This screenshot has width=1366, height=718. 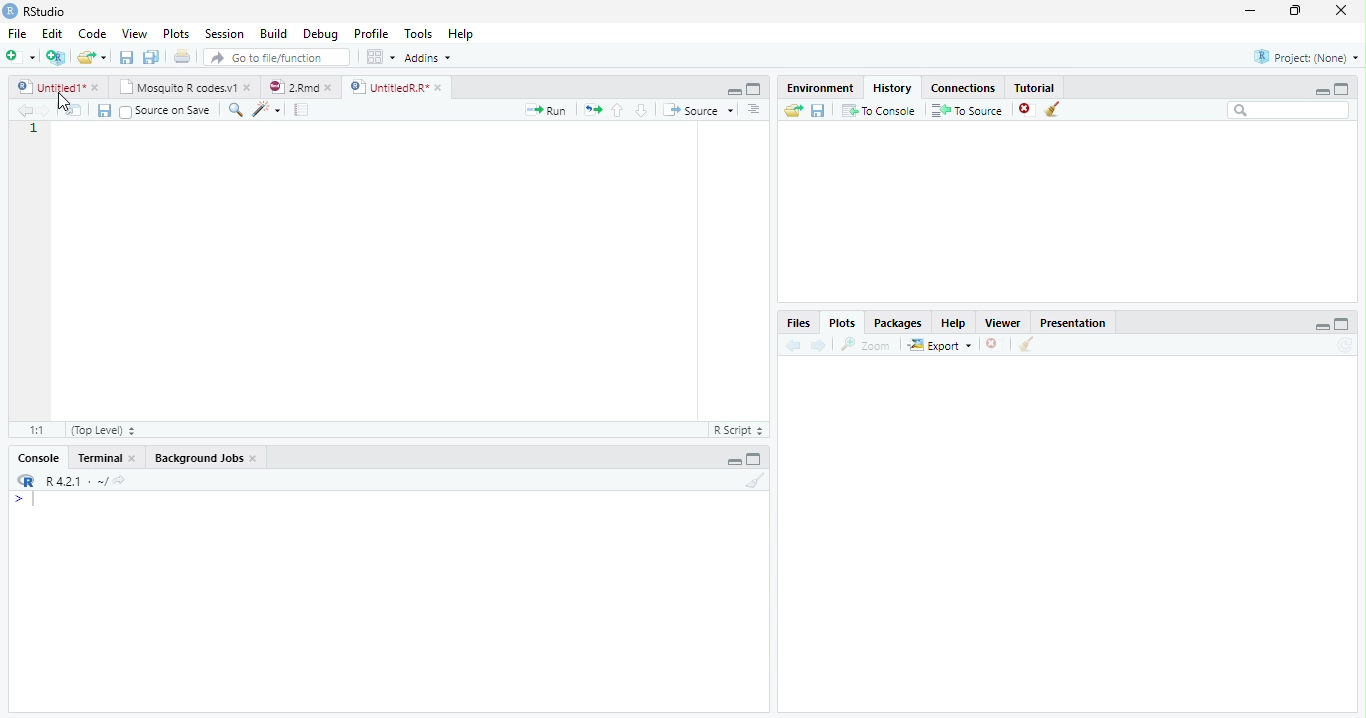 I want to click on Clear all plots, so click(x=1025, y=344).